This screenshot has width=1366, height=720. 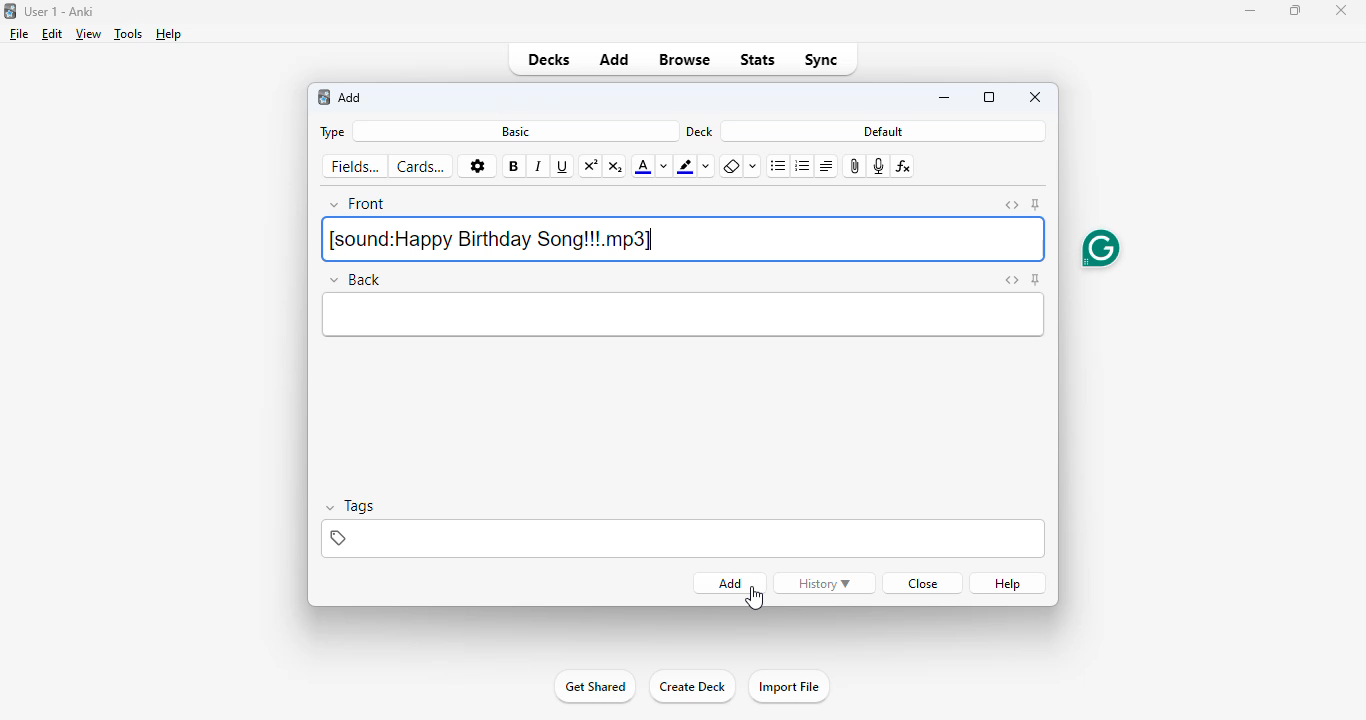 I want to click on tools, so click(x=129, y=33).